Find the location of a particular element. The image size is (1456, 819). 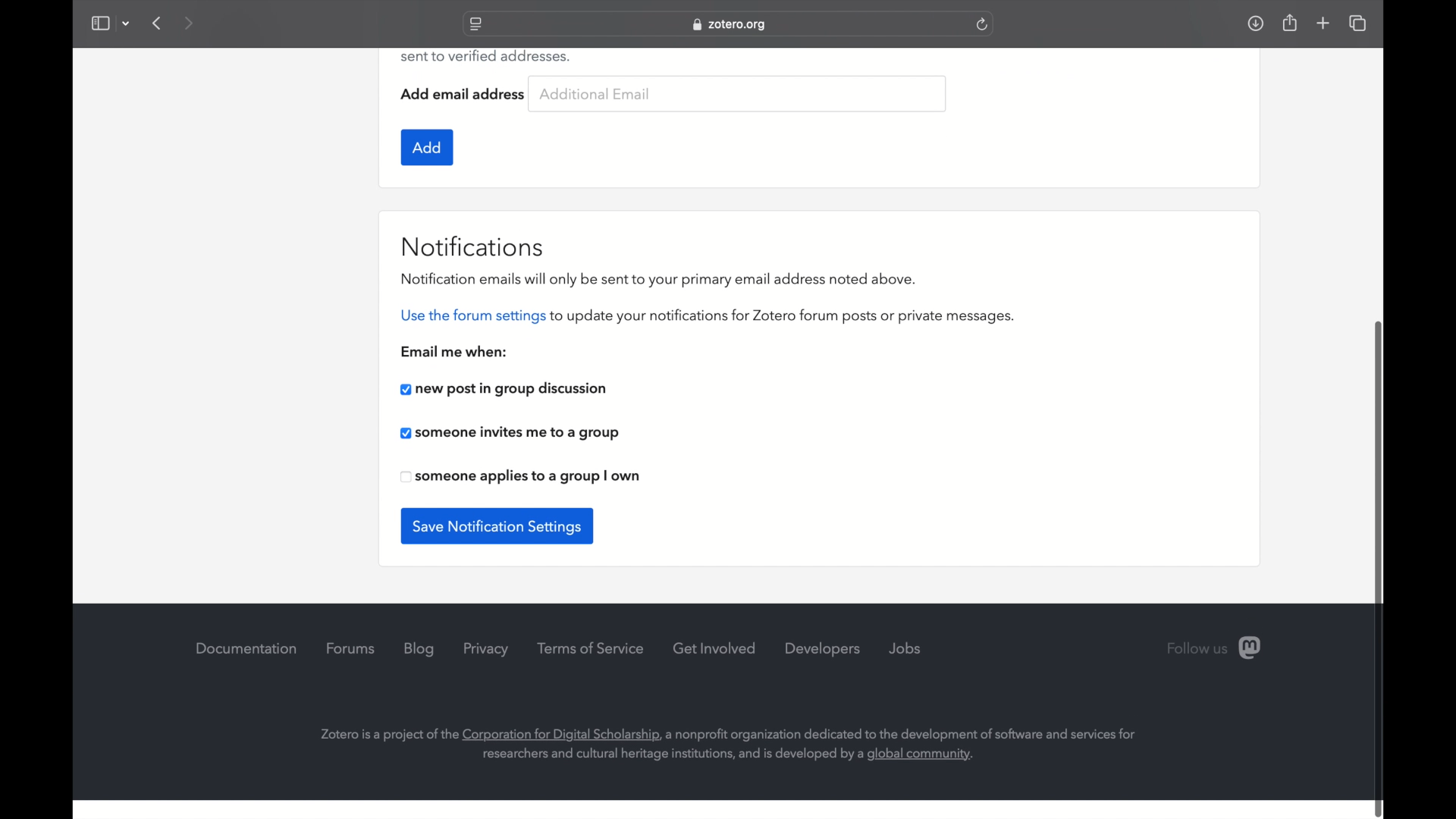

checkbox is located at coordinates (520, 477).